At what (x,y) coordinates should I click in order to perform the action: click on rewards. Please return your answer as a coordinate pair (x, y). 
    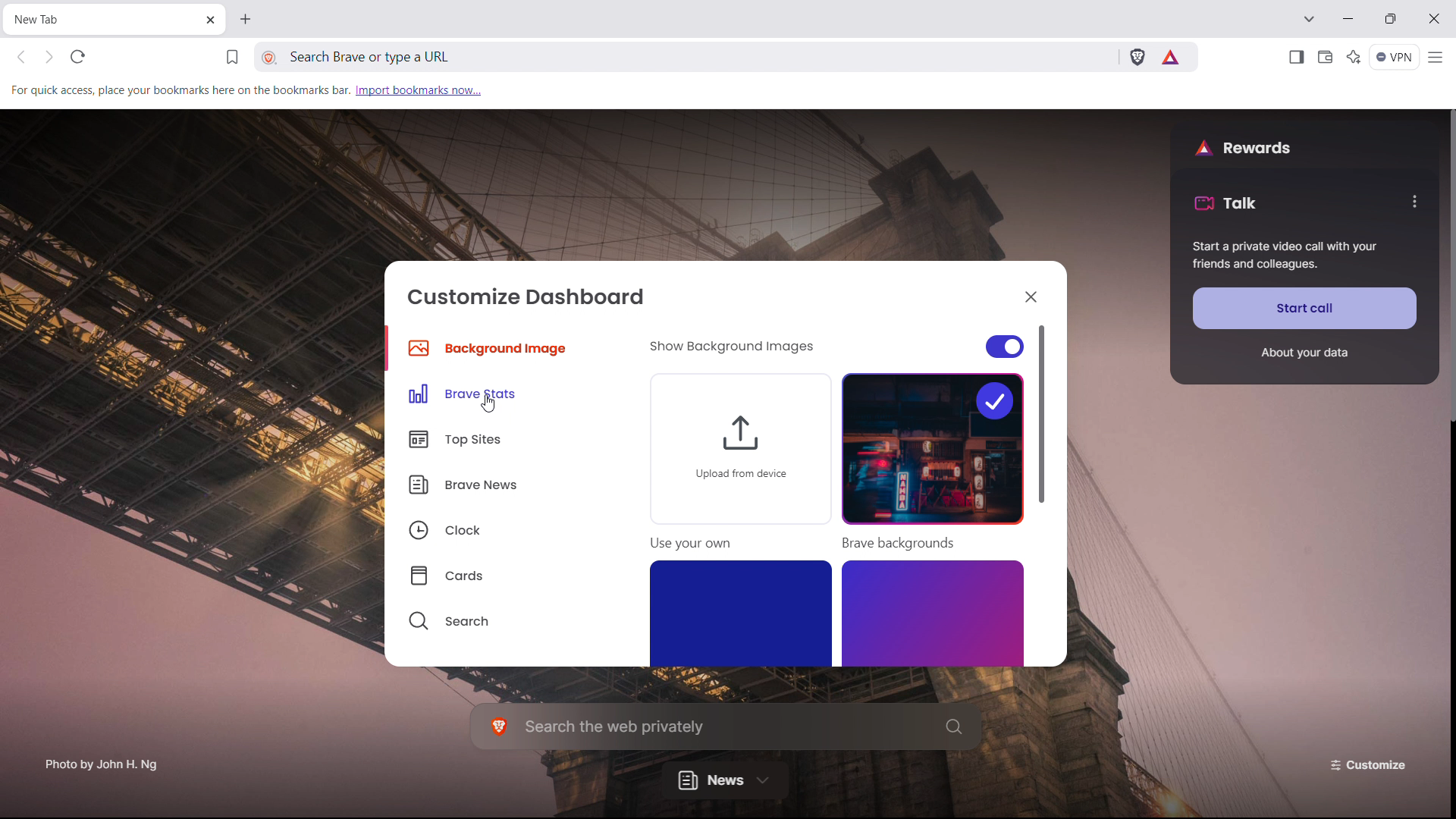
    Looking at the image, I should click on (1243, 146).